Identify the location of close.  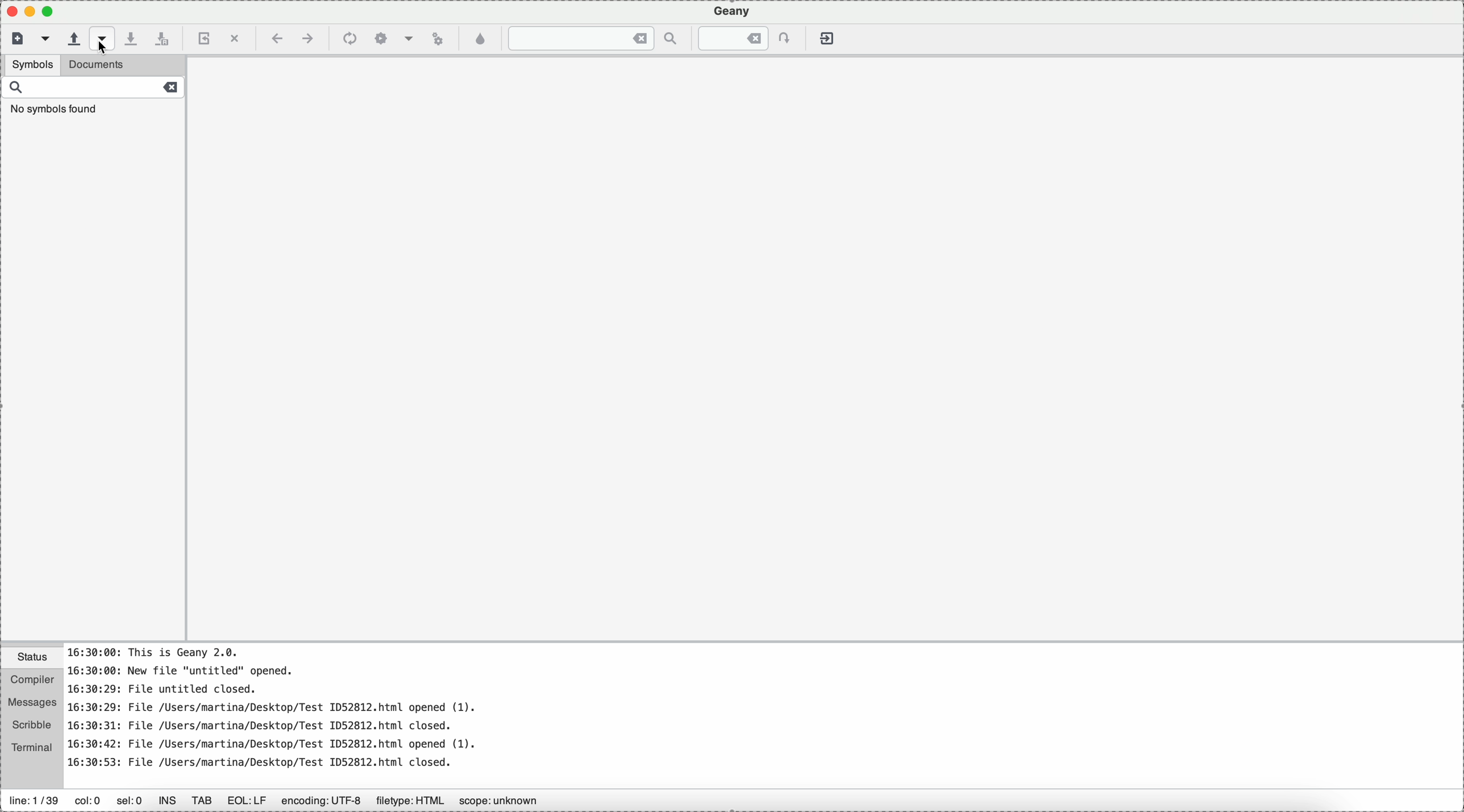
(9, 11).